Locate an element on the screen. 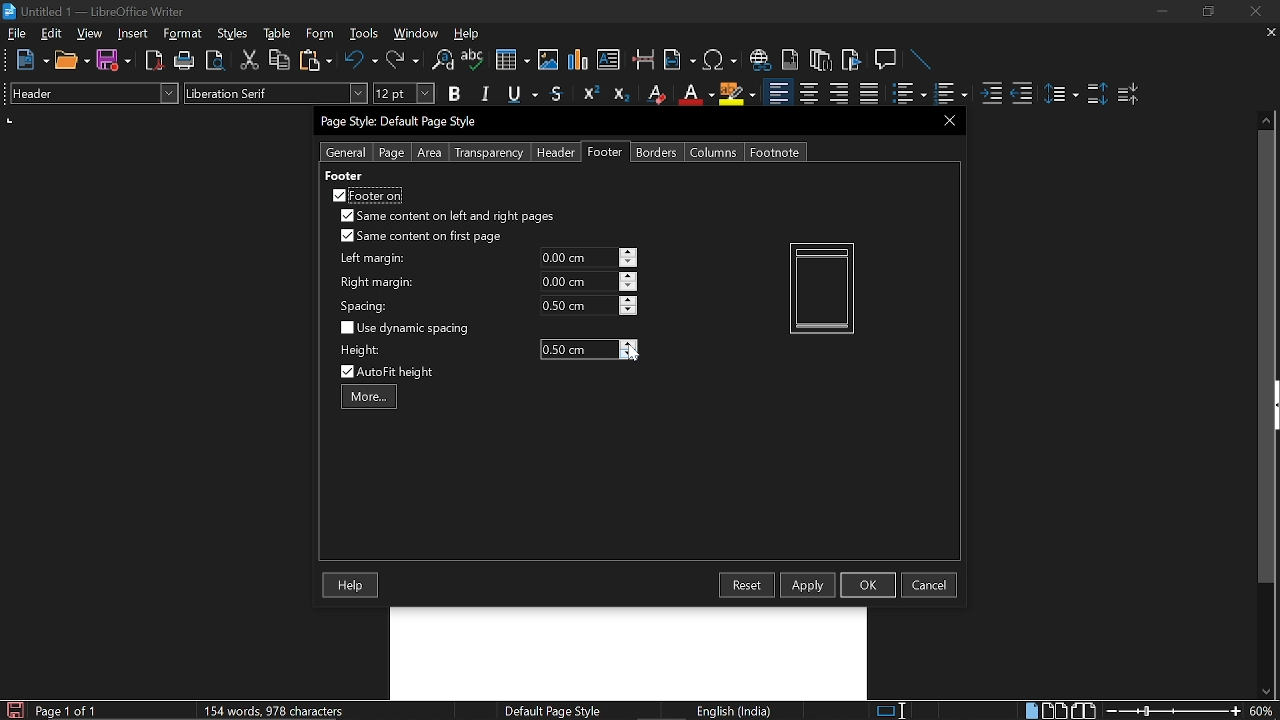 This screenshot has width=1280, height=720. Copy is located at coordinates (278, 60).